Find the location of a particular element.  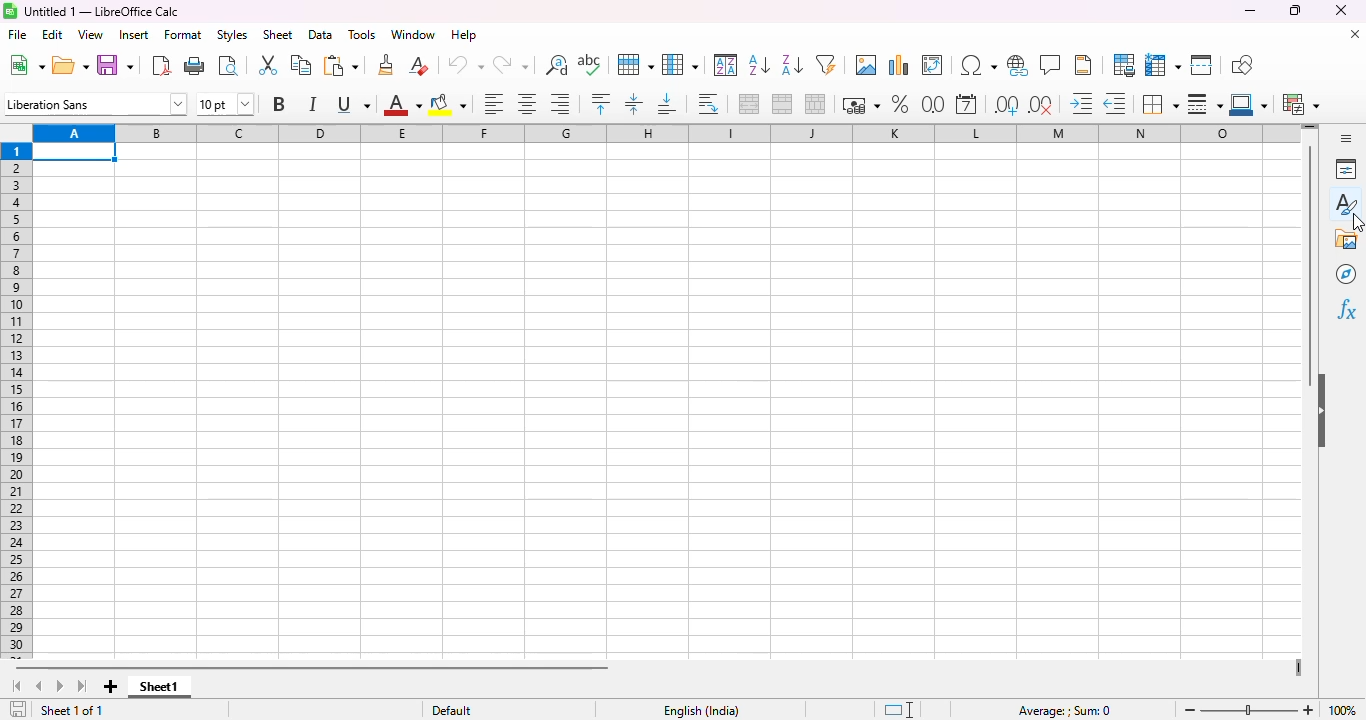

vertical scroll bar is located at coordinates (1311, 265).